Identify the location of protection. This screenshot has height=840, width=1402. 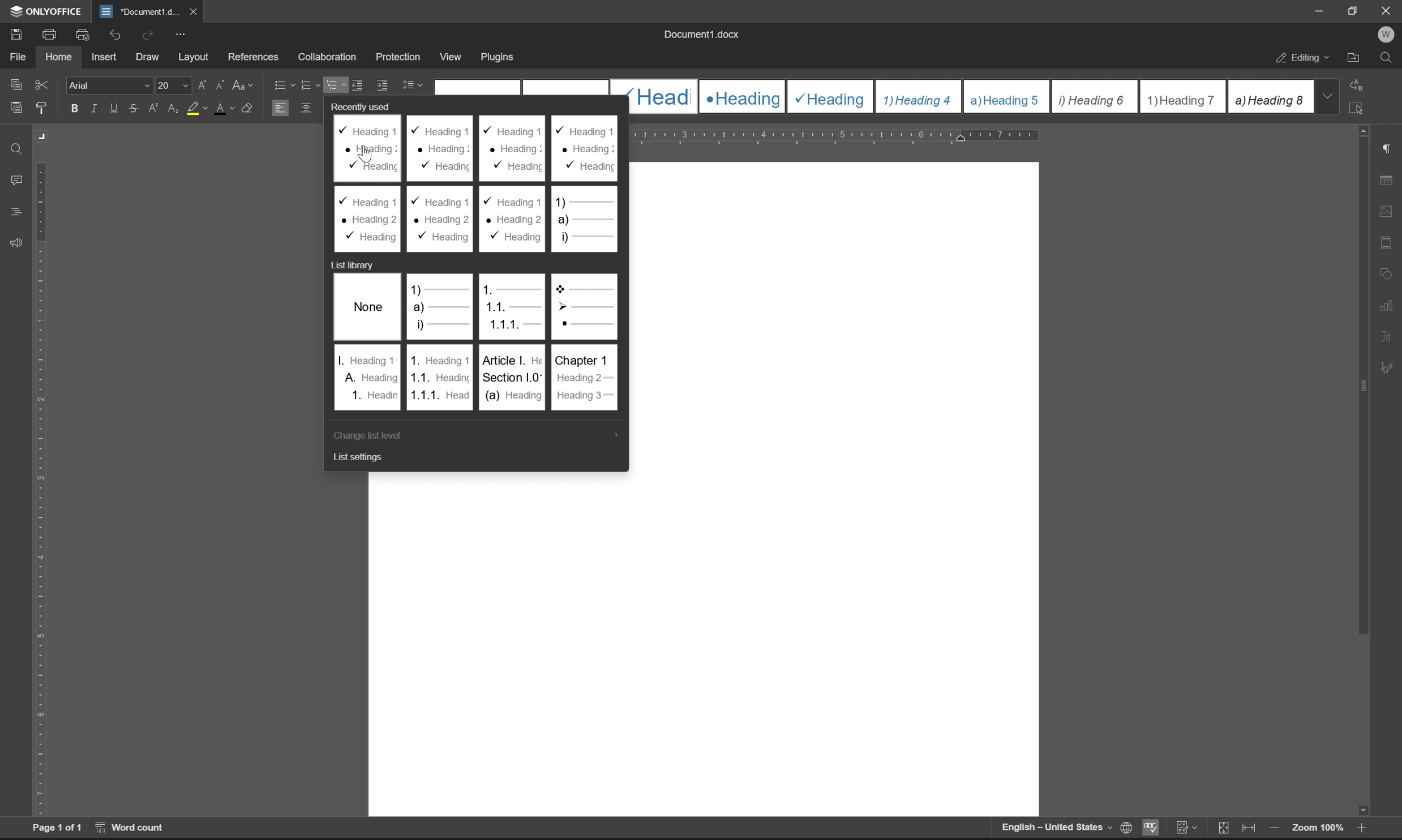
(400, 56).